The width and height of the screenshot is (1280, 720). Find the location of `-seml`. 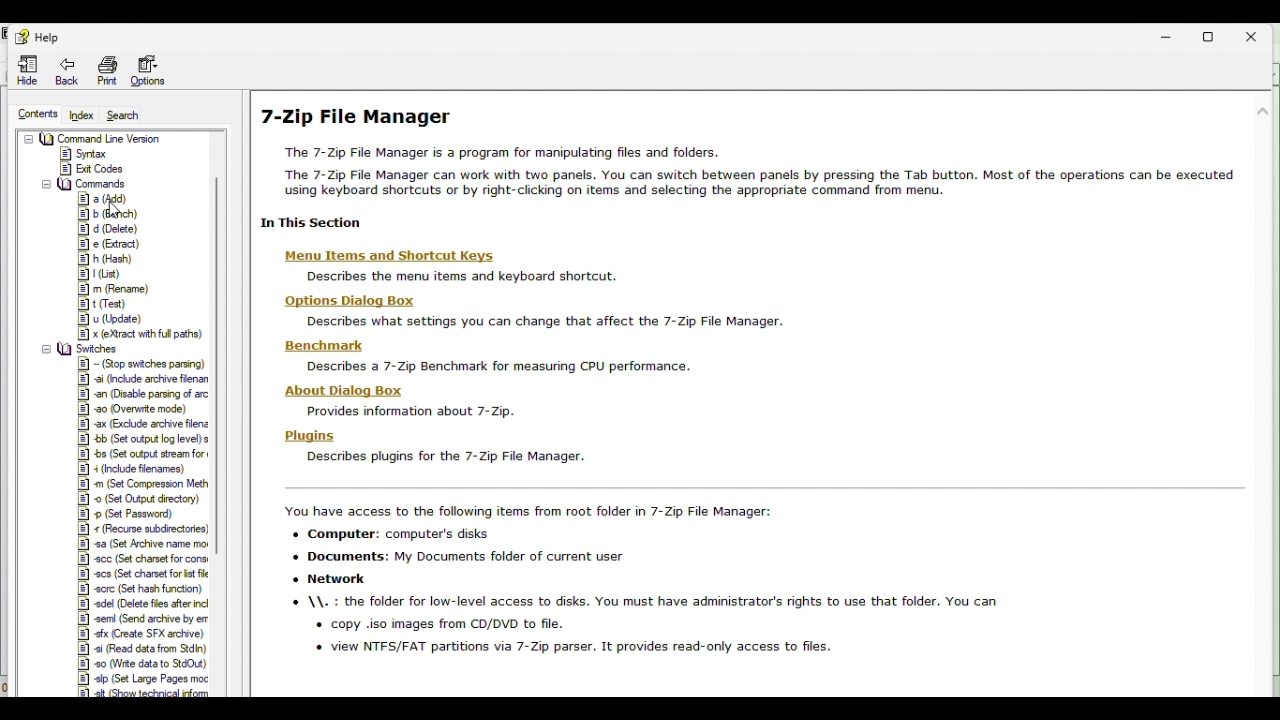

-seml is located at coordinates (144, 618).